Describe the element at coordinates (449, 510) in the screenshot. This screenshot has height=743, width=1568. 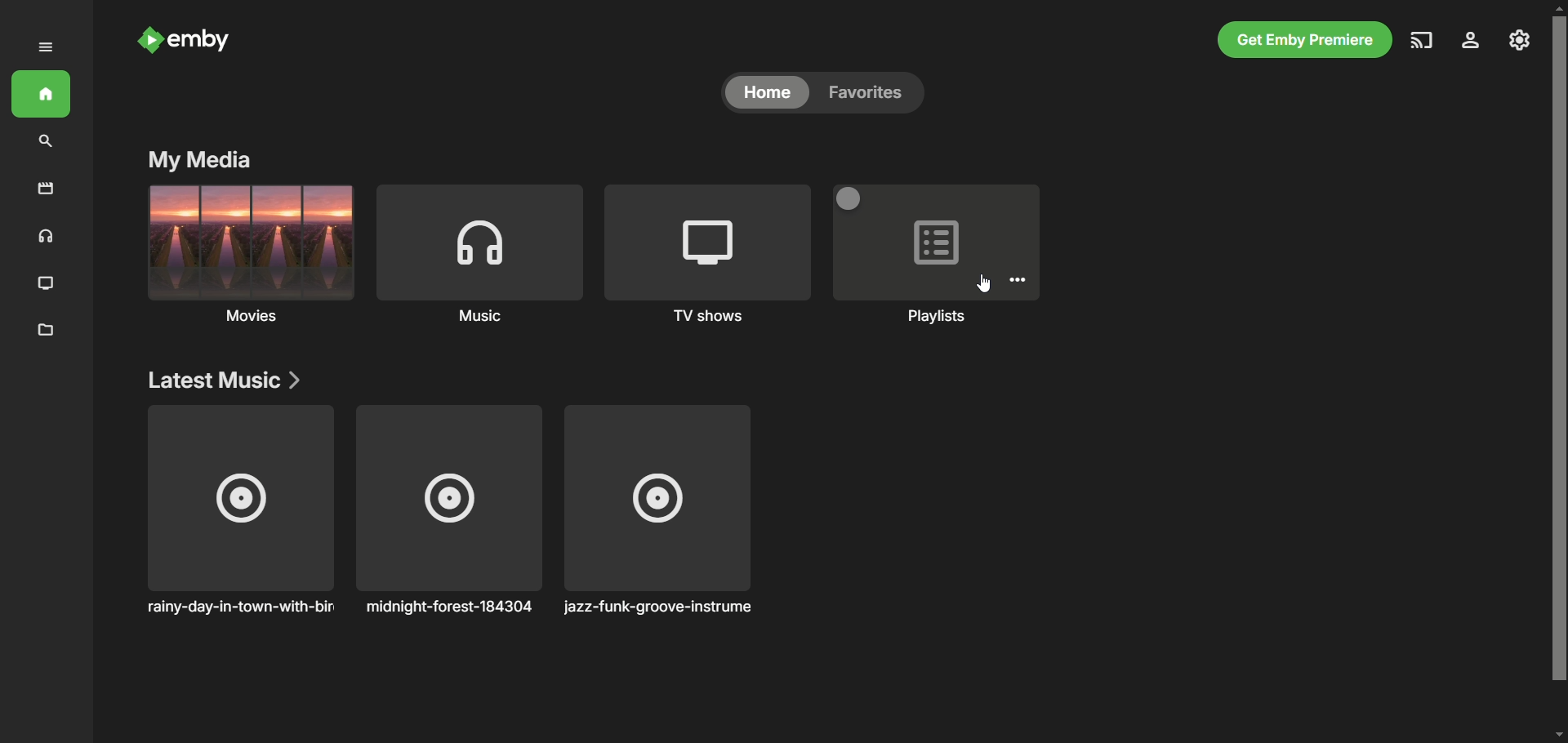
I see `Music album` at that location.